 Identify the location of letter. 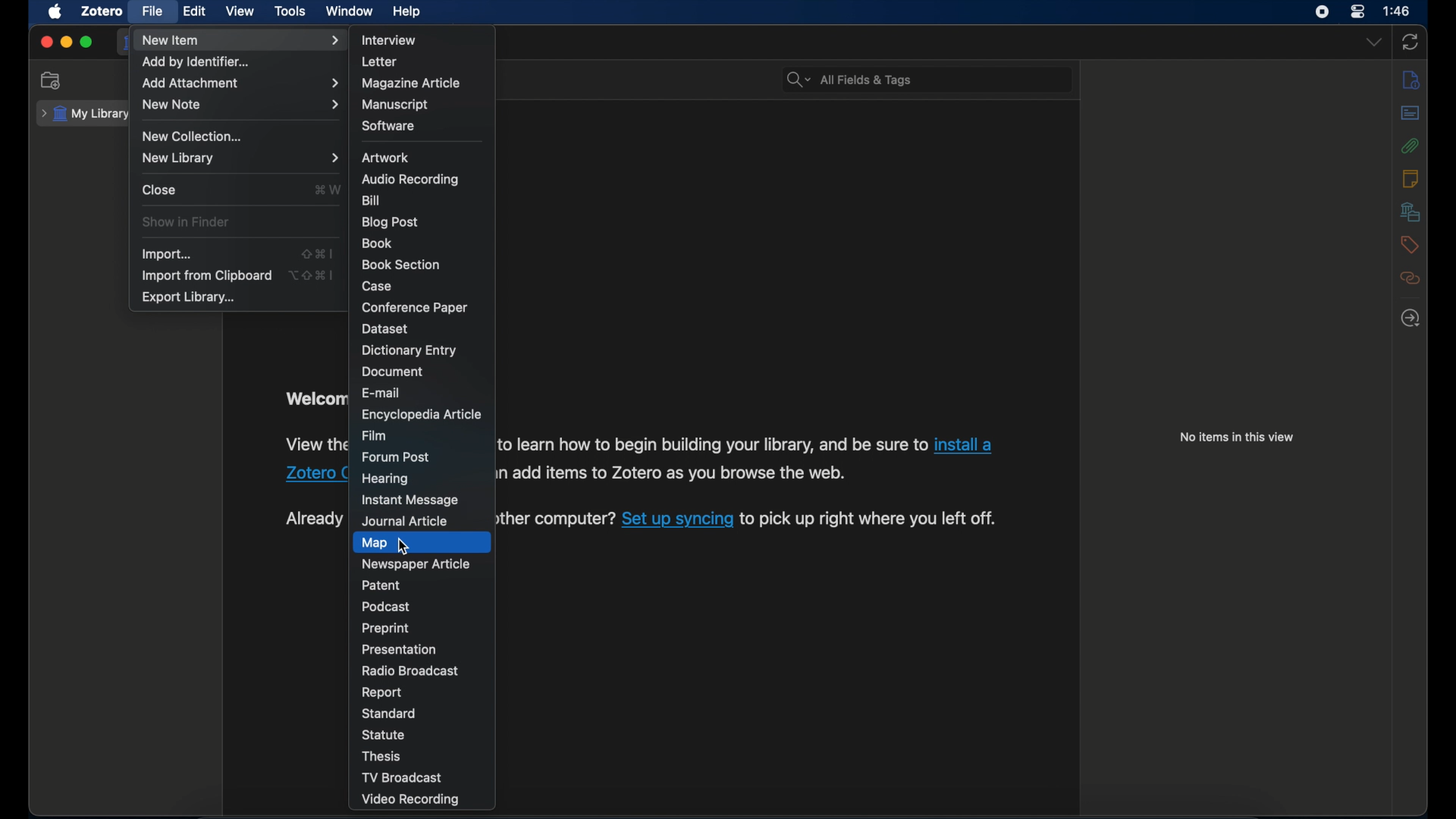
(379, 61).